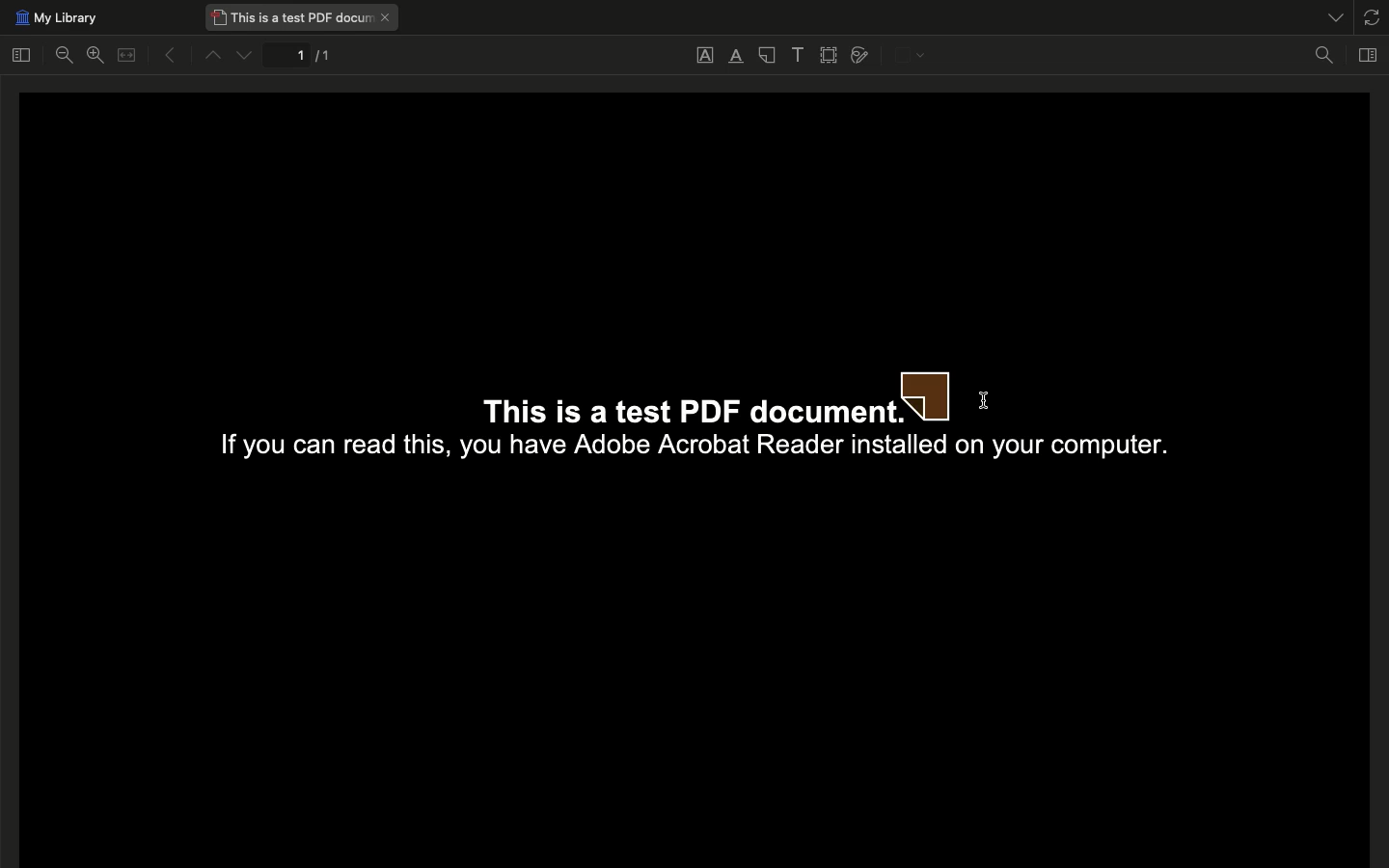  Describe the element at coordinates (668, 403) in the screenshot. I see `This is a test PDF documen` at that location.